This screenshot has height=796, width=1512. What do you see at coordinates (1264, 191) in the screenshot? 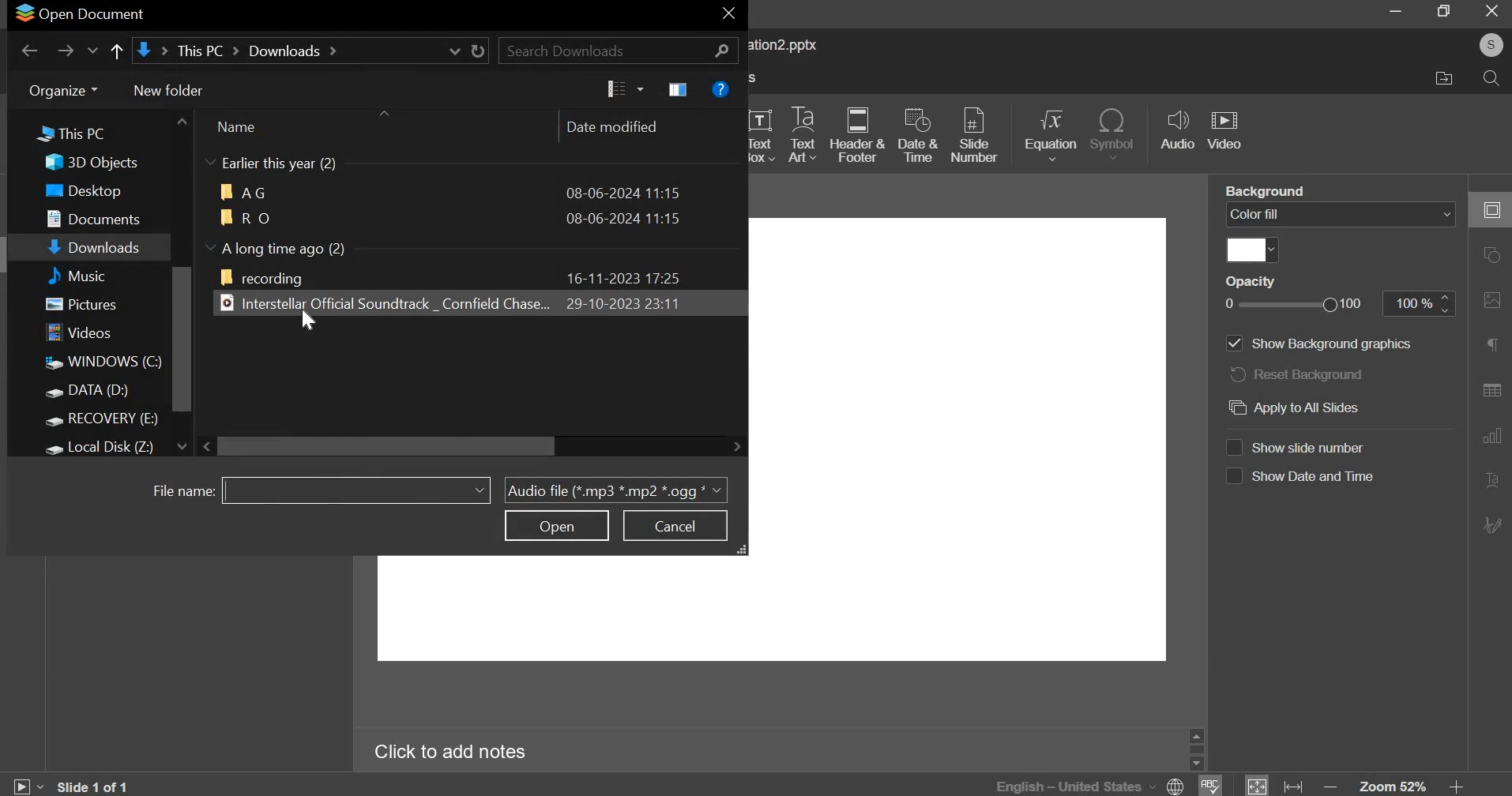
I see `background` at bounding box center [1264, 191].